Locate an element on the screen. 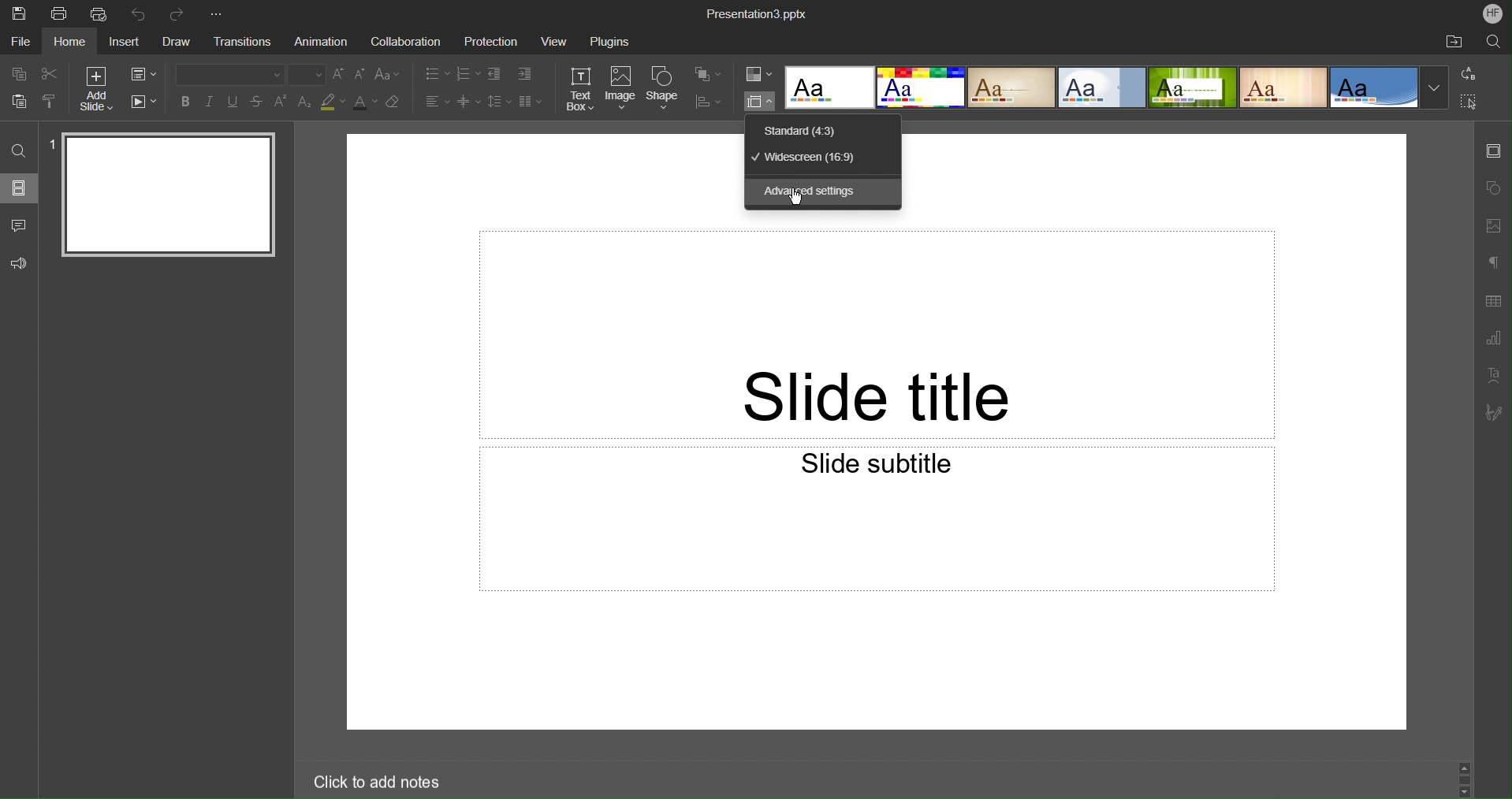 This screenshot has height=799, width=1512. Shape Settings is located at coordinates (1493, 187).